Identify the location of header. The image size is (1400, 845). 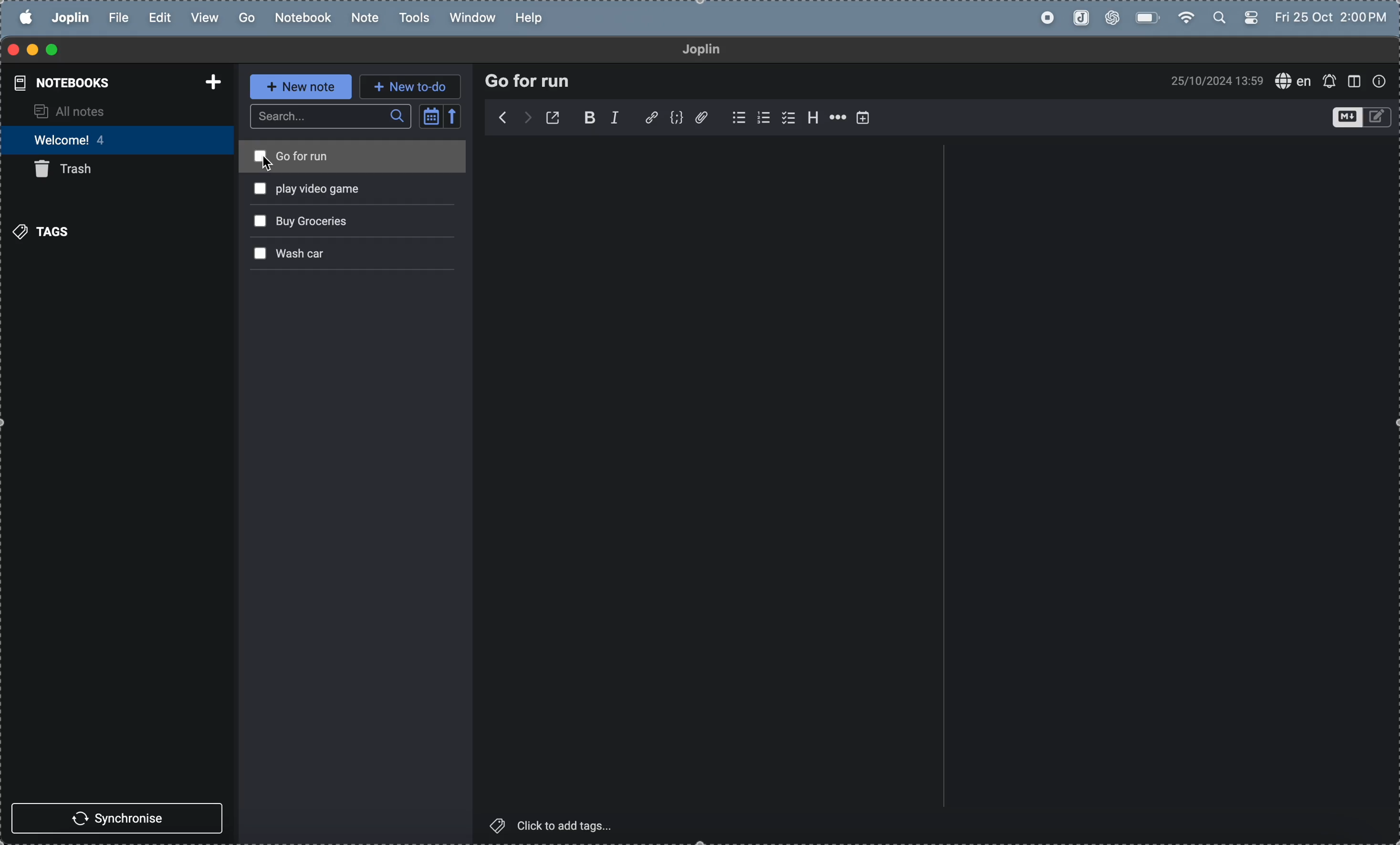
(811, 118).